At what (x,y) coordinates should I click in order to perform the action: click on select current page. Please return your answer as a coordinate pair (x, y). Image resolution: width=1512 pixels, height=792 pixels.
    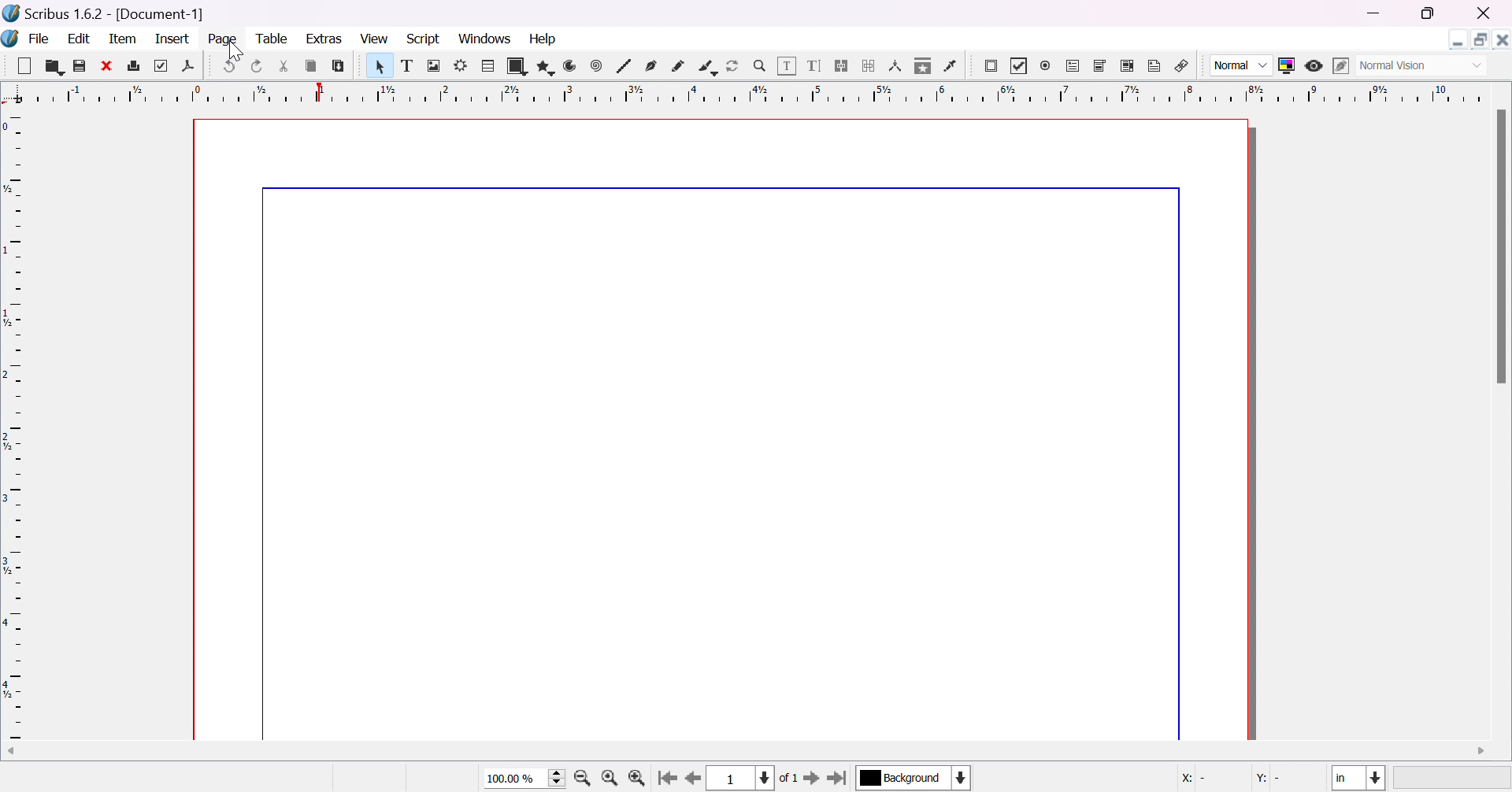
    Looking at the image, I should click on (755, 778).